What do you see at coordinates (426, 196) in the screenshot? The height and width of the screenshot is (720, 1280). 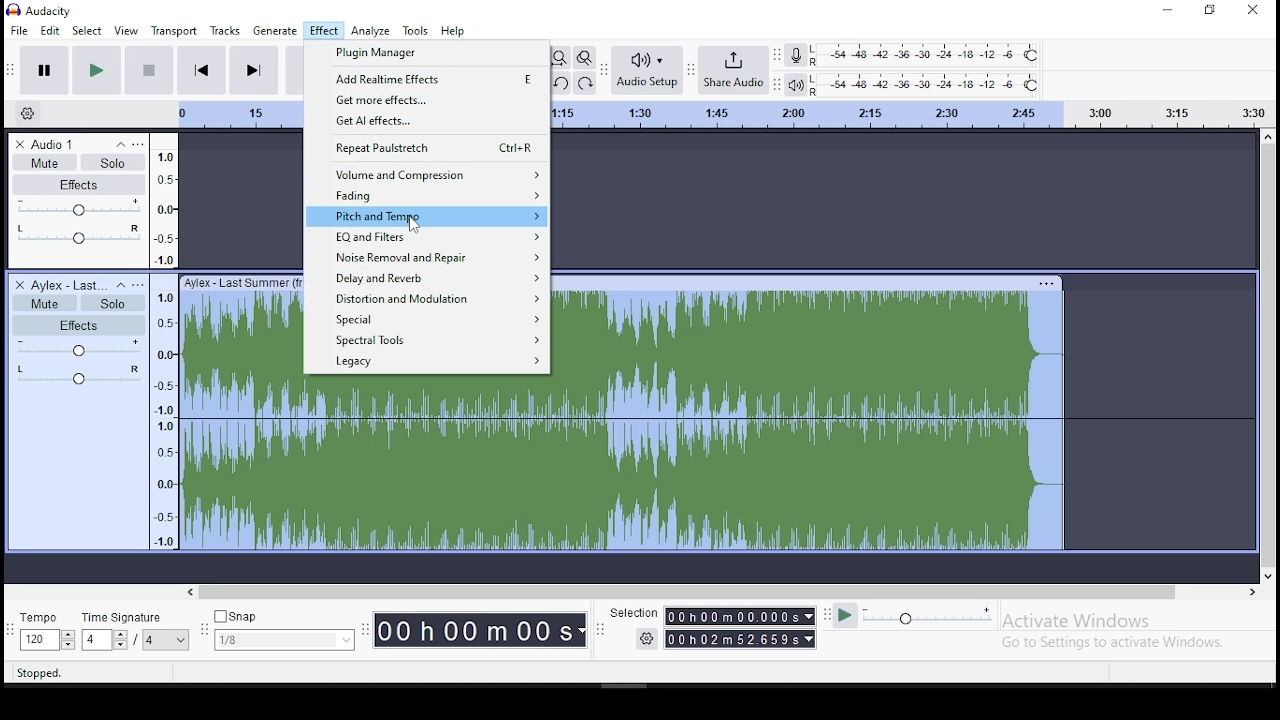 I see `fading` at bounding box center [426, 196].